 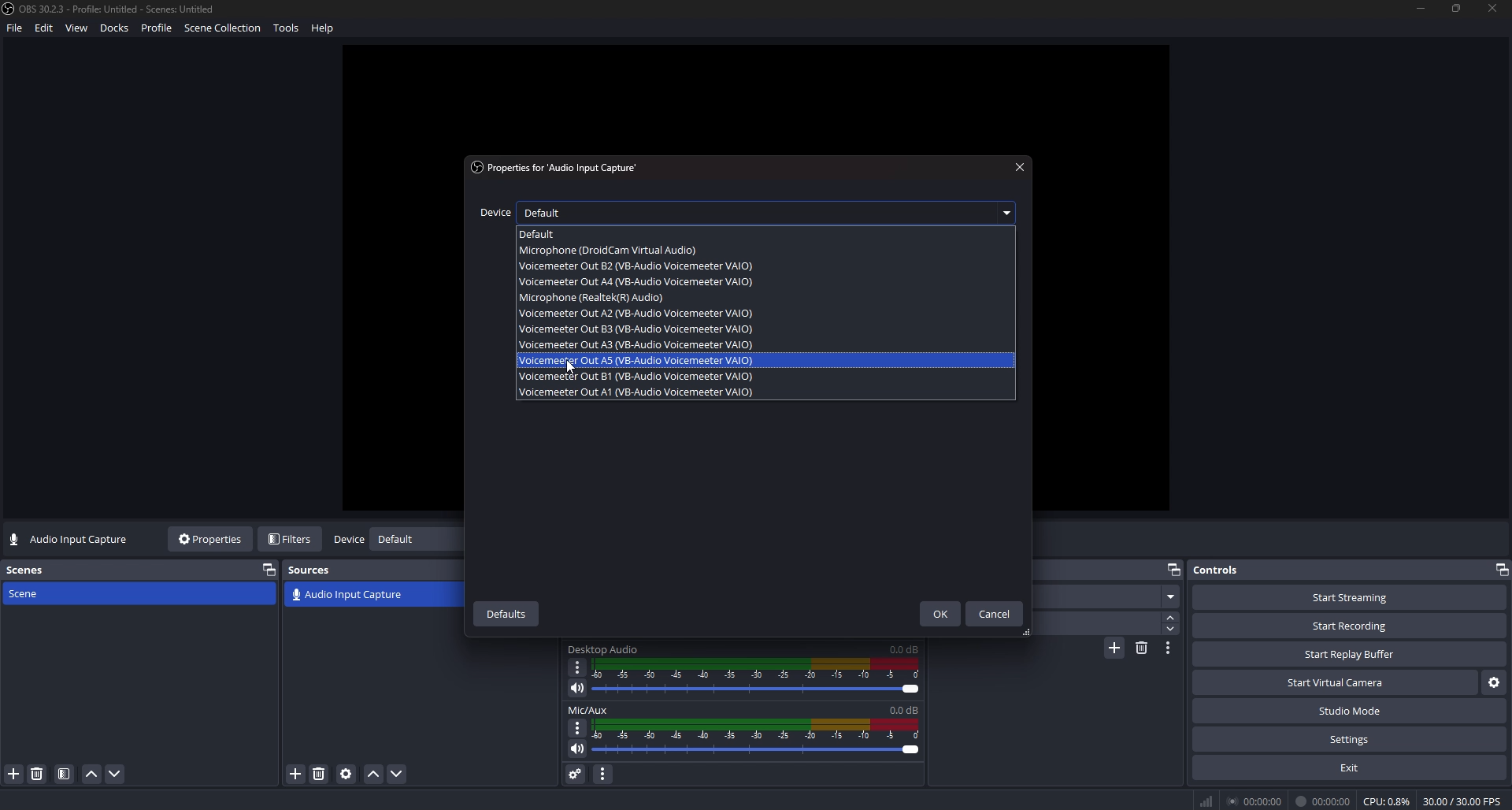 What do you see at coordinates (1171, 629) in the screenshot?
I see `decrease duration` at bounding box center [1171, 629].